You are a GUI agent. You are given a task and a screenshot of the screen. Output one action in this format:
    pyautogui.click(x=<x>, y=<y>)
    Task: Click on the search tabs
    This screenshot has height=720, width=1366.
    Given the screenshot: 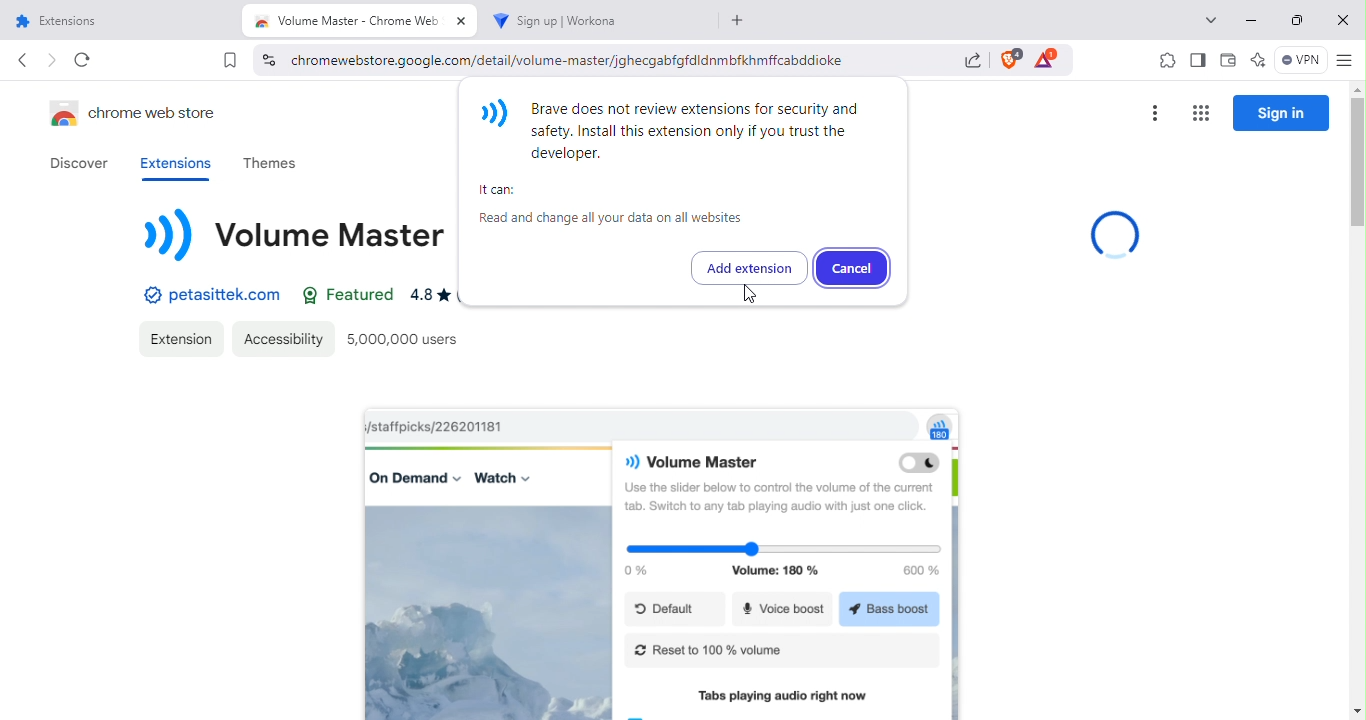 What is the action you would take?
    pyautogui.click(x=1211, y=21)
    